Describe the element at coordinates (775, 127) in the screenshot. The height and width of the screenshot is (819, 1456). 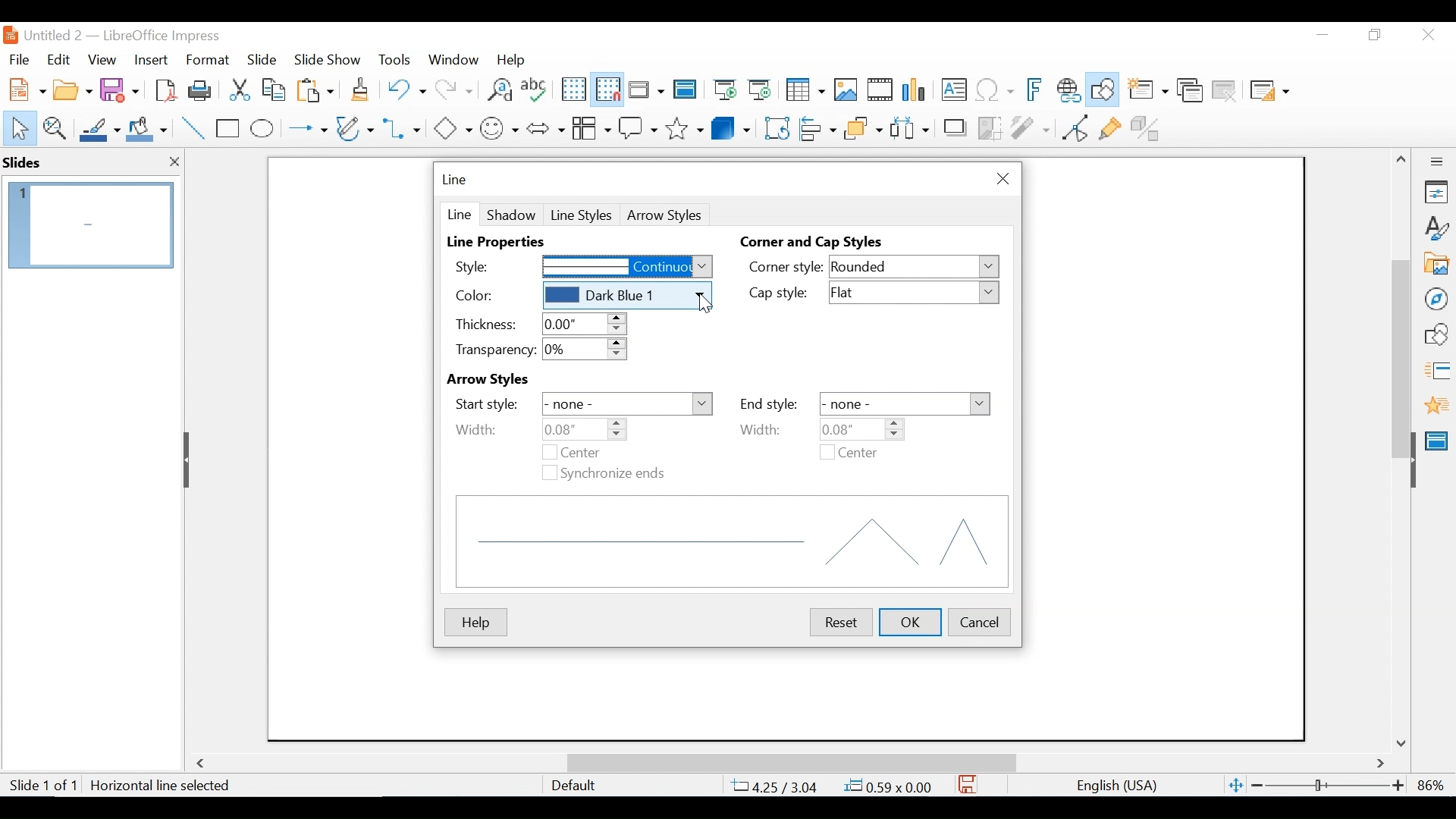
I see `Rotate` at that location.